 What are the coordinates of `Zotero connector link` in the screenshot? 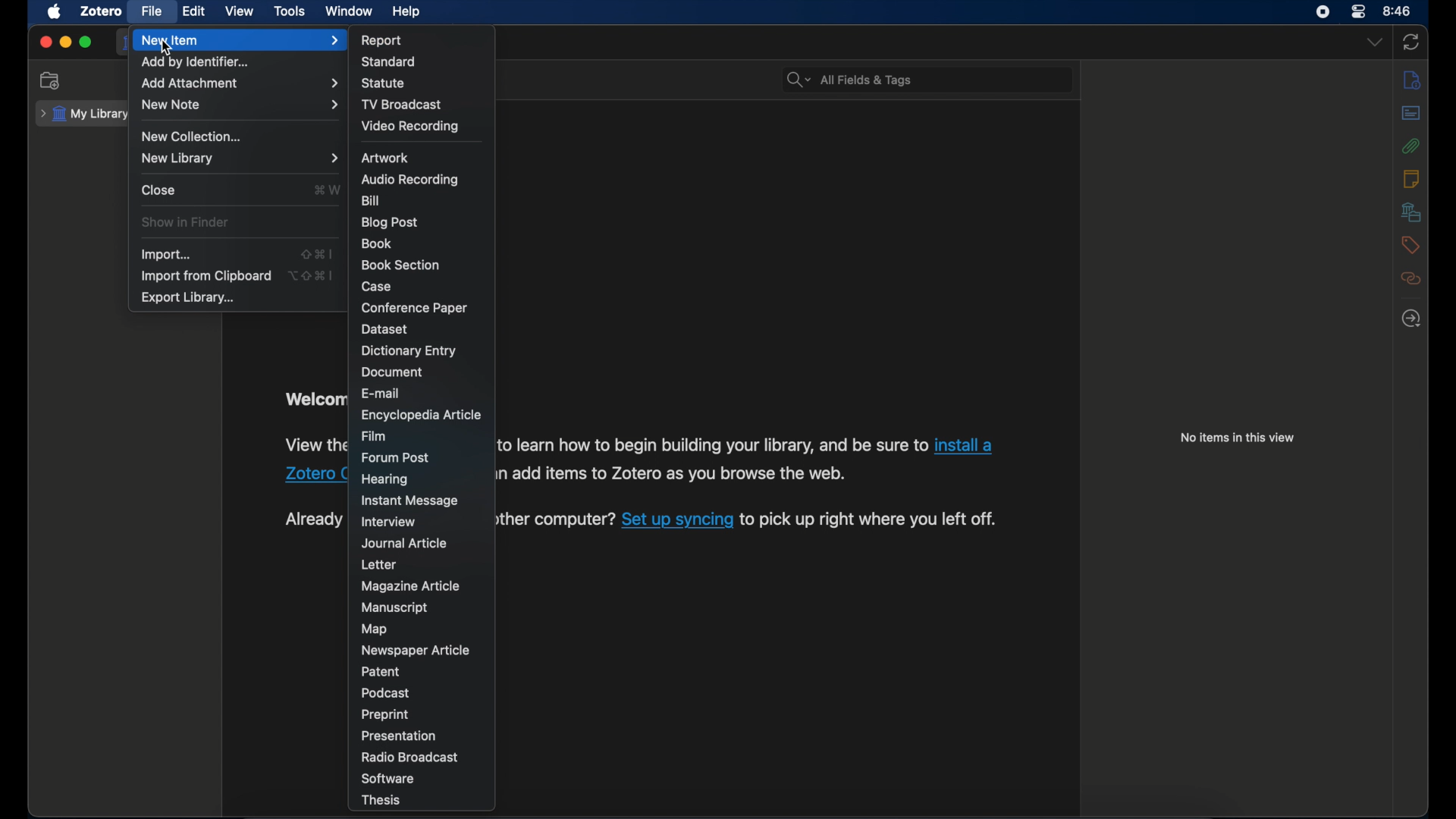 It's located at (968, 444).